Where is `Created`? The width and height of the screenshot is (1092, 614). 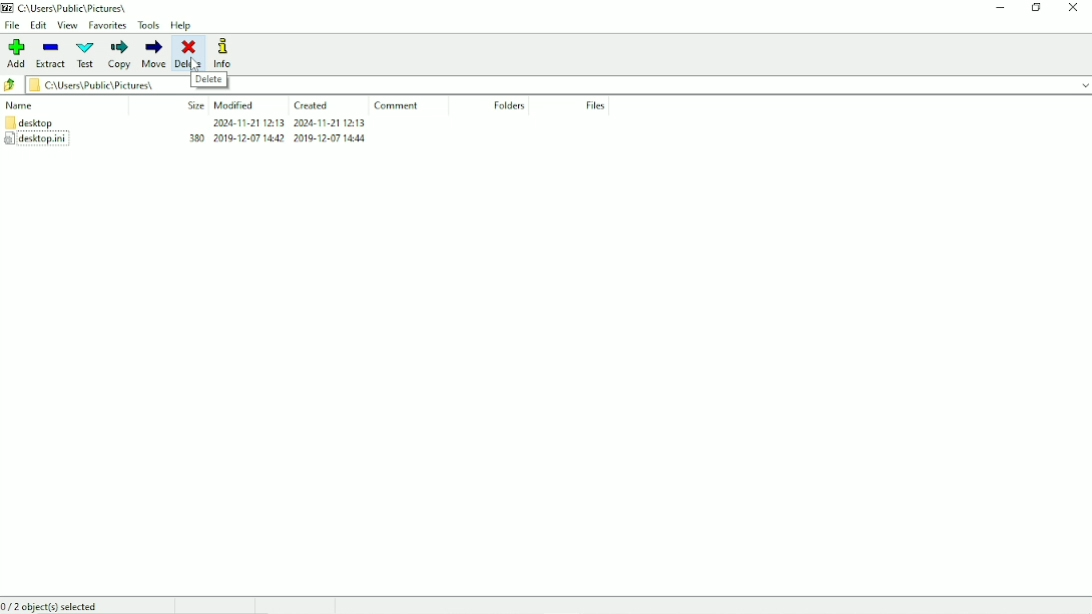 Created is located at coordinates (313, 106).